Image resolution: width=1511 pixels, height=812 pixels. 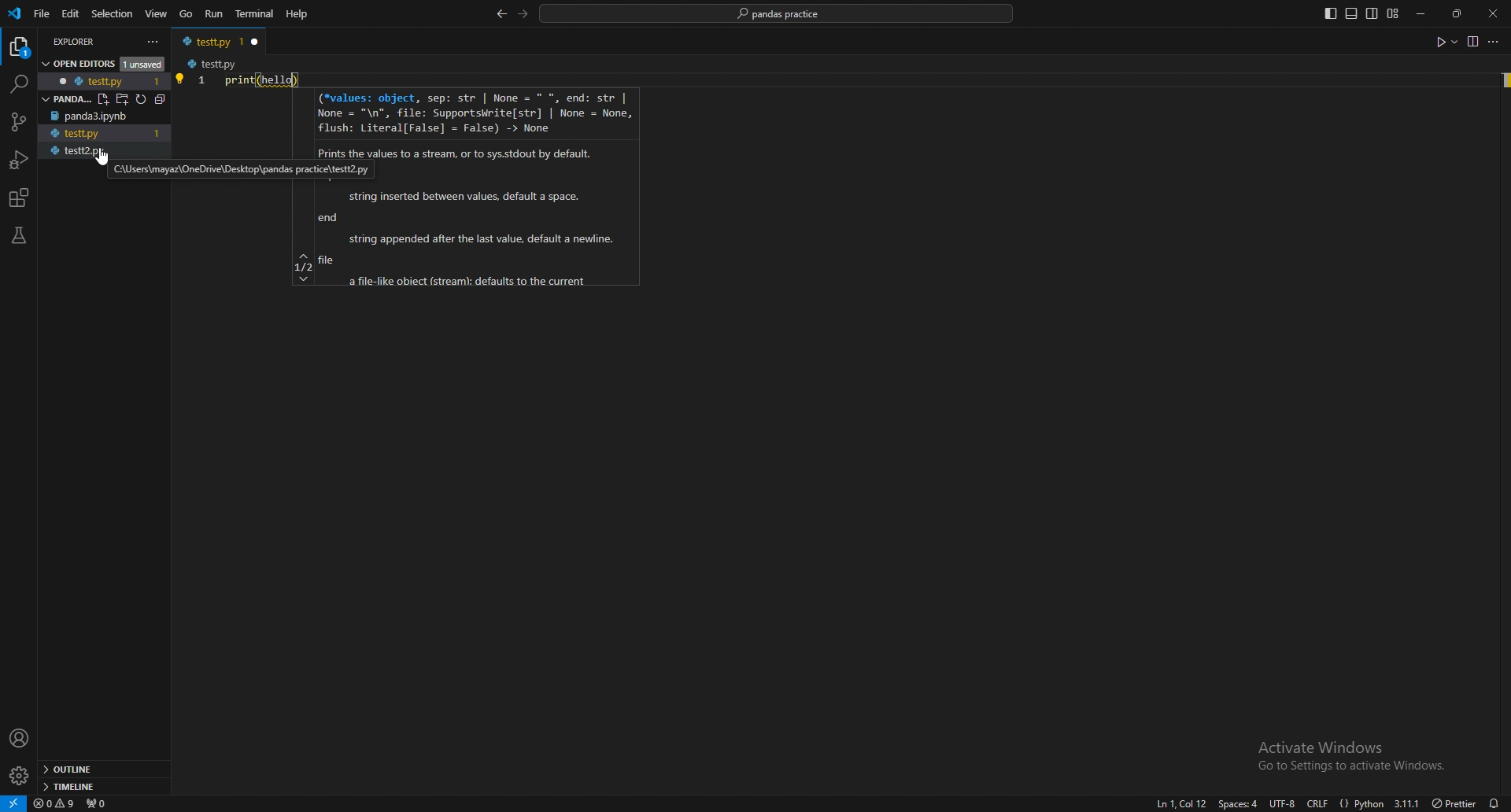 What do you see at coordinates (1472, 41) in the screenshot?
I see `view` at bounding box center [1472, 41].